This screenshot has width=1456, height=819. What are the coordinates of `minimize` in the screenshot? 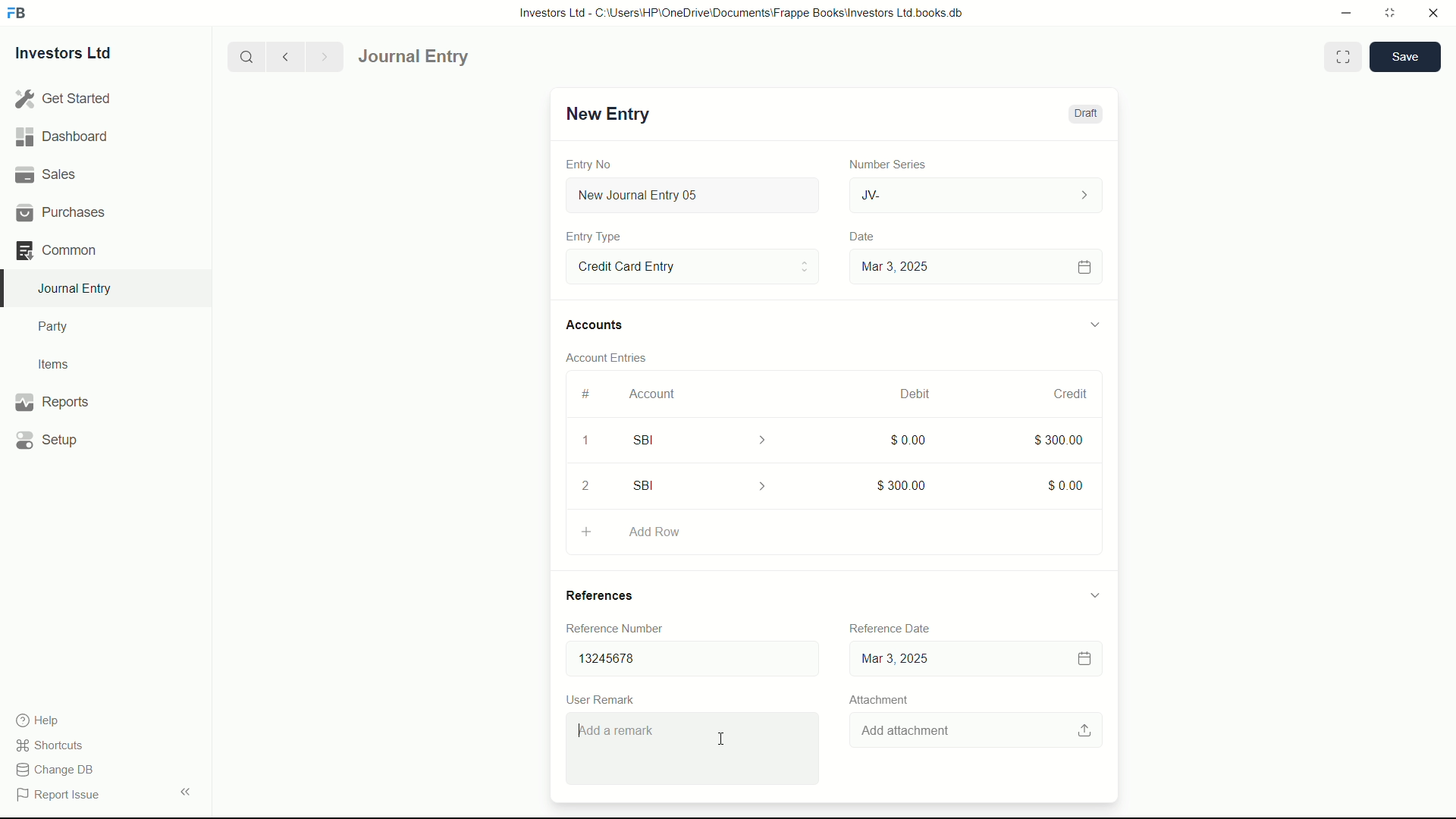 It's located at (1342, 11).